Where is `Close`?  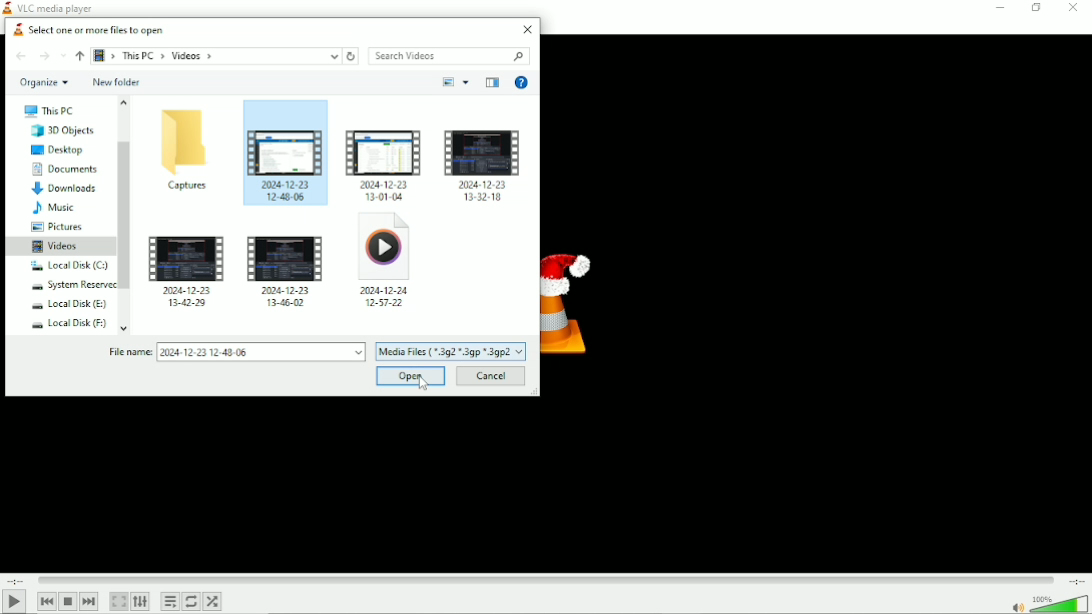 Close is located at coordinates (527, 29).